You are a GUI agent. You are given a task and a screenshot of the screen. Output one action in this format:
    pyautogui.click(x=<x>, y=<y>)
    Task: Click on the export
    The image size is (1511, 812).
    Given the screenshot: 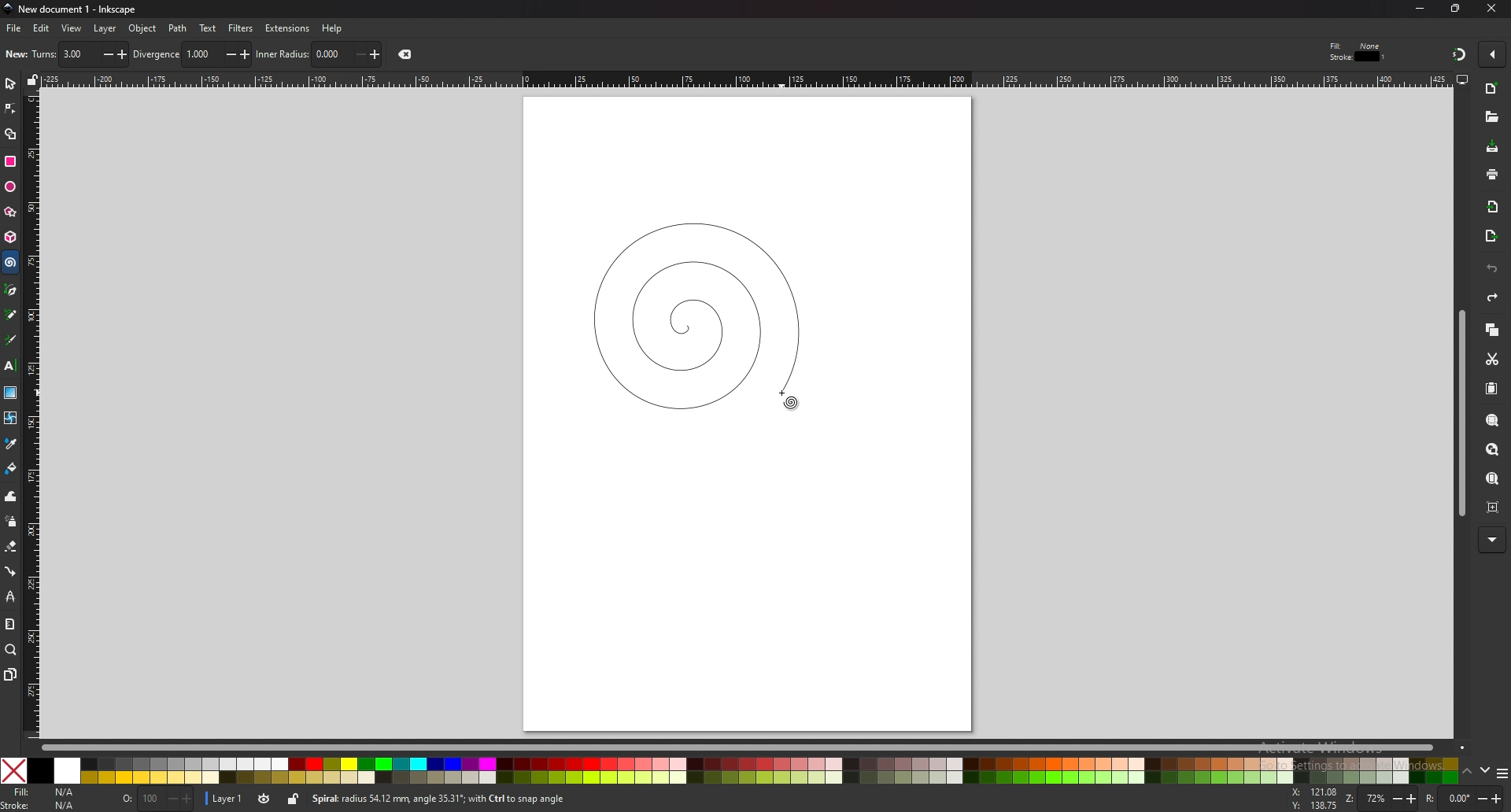 What is the action you would take?
    pyautogui.click(x=1490, y=236)
    